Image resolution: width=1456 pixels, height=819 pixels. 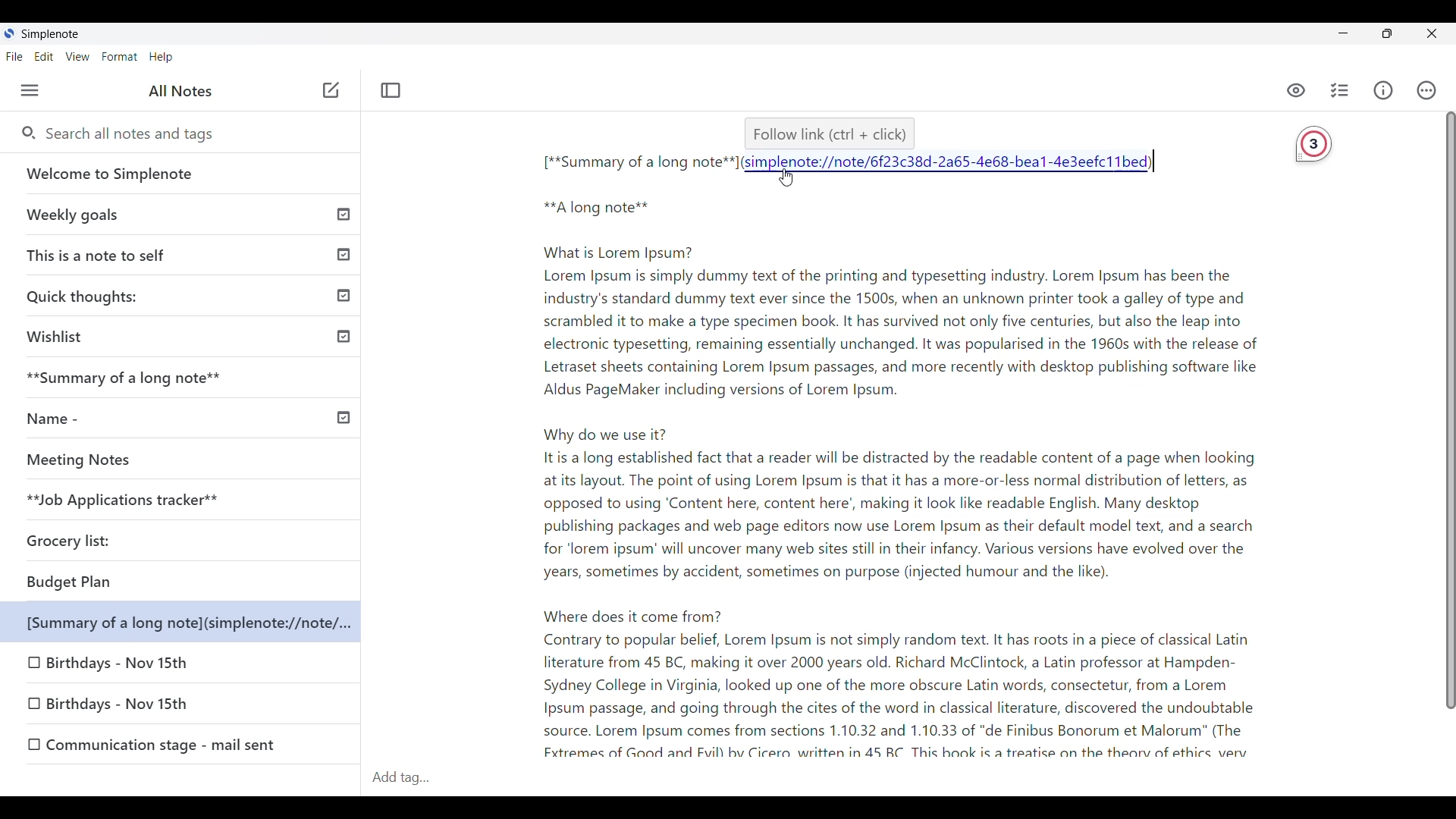 What do you see at coordinates (154, 460) in the screenshot?
I see `Meeting notes` at bounding box center [154, 460].